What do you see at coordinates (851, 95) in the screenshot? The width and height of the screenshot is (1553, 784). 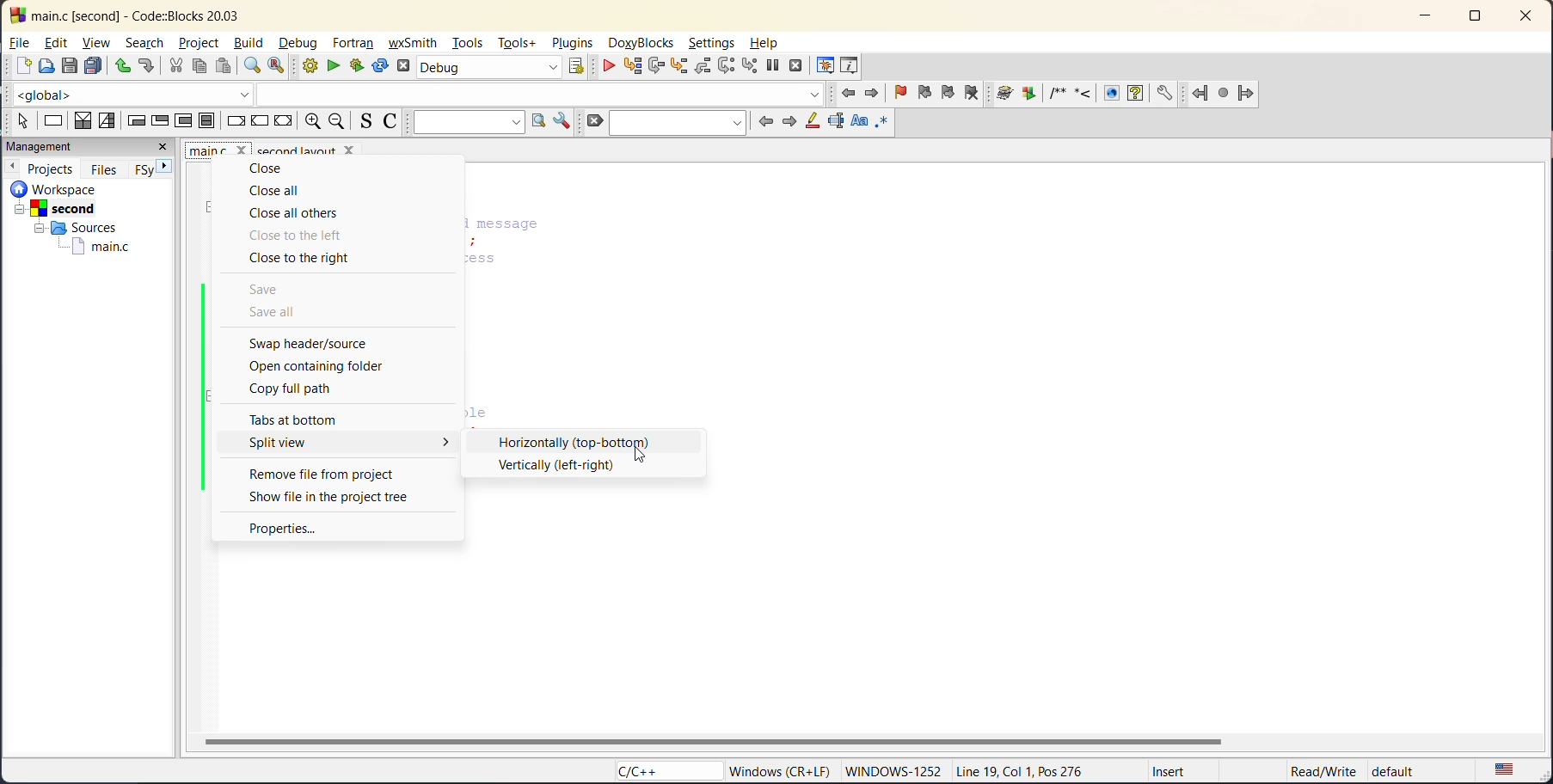 I see `jump back` at bounding box center [851, 95].